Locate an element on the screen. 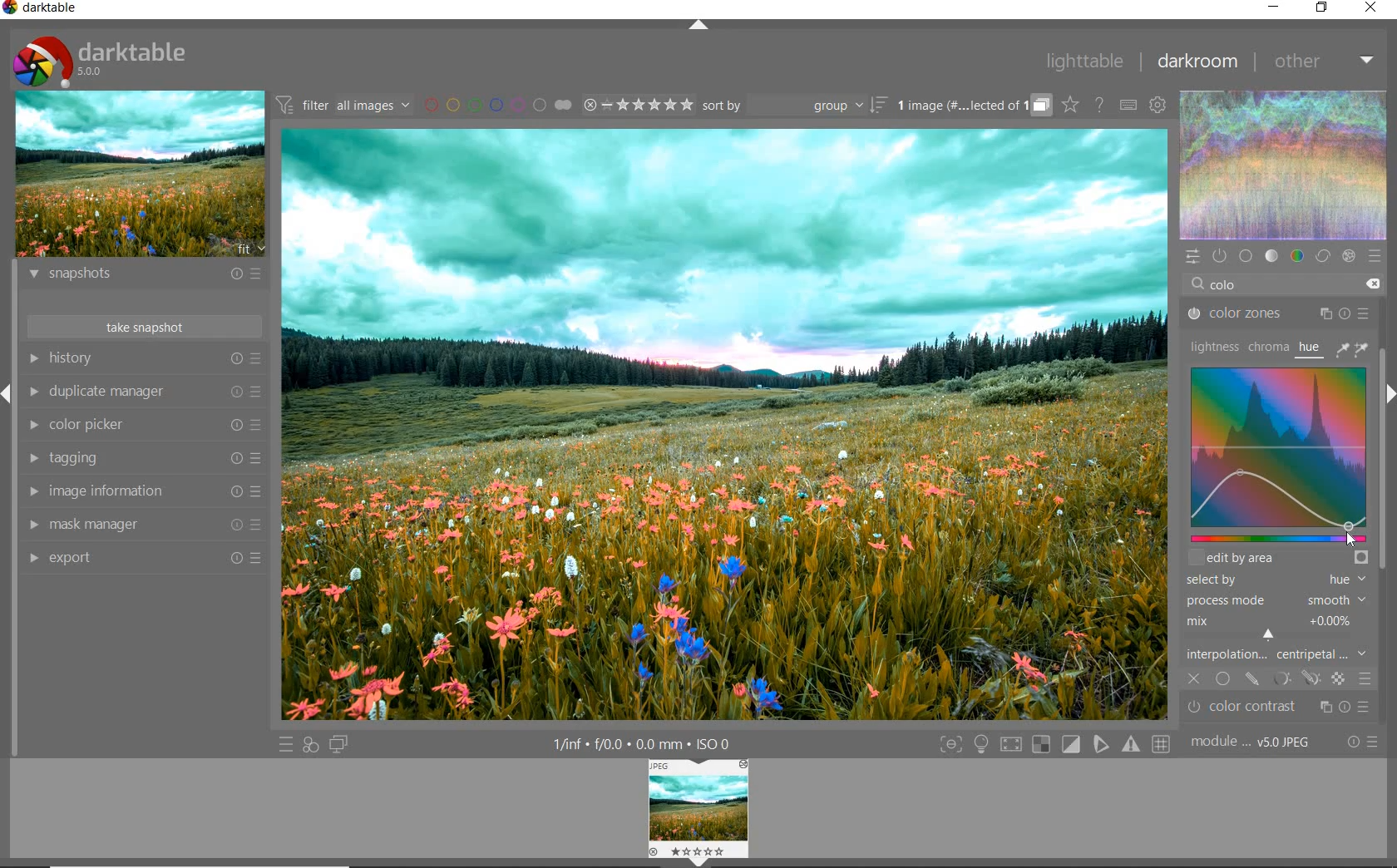 This screenshot has width=1397, height=868. take snapshots is located at coordinates (142, 326).